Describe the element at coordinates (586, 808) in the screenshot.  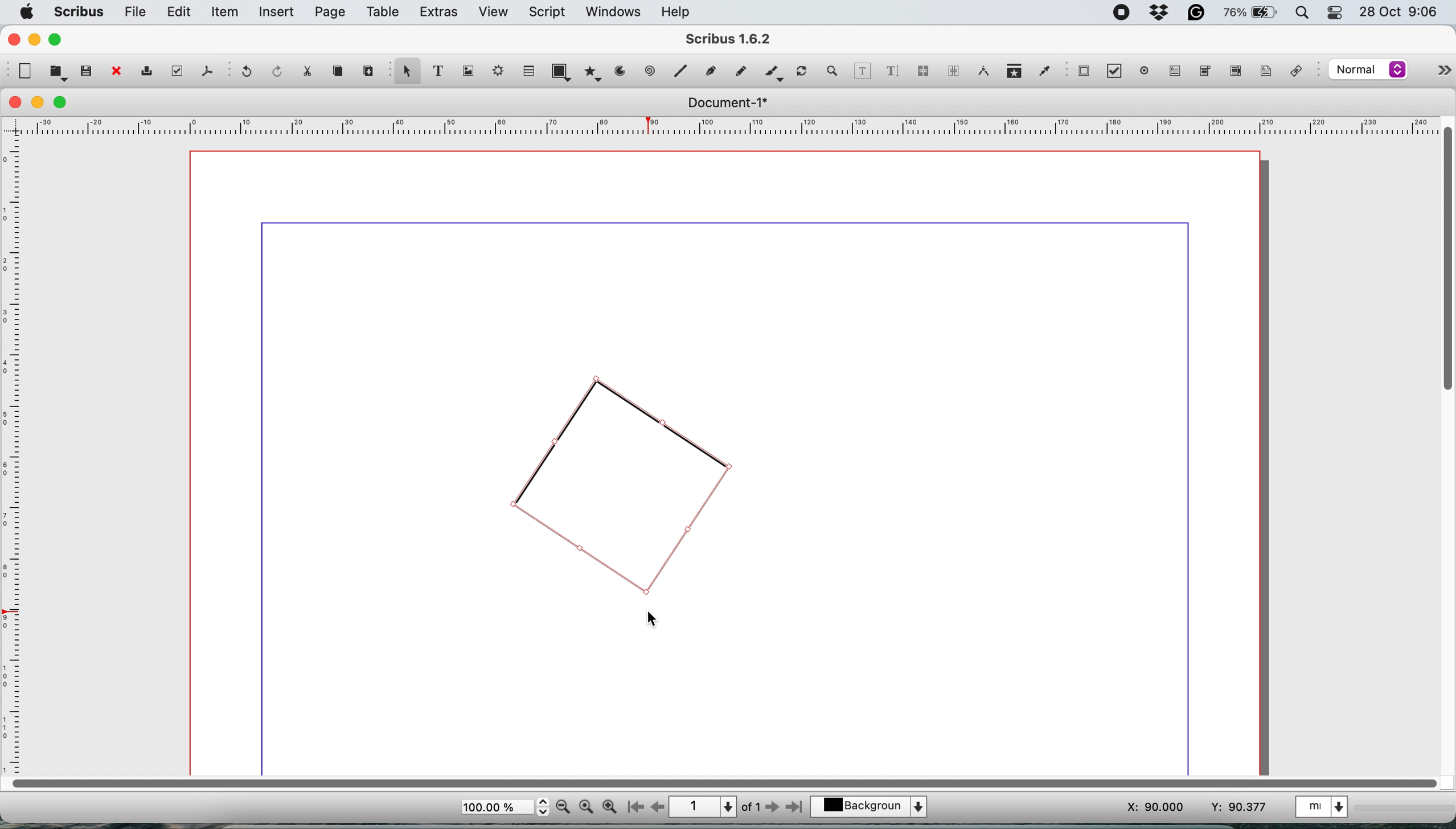
I see `zoom to 100%` at that location.